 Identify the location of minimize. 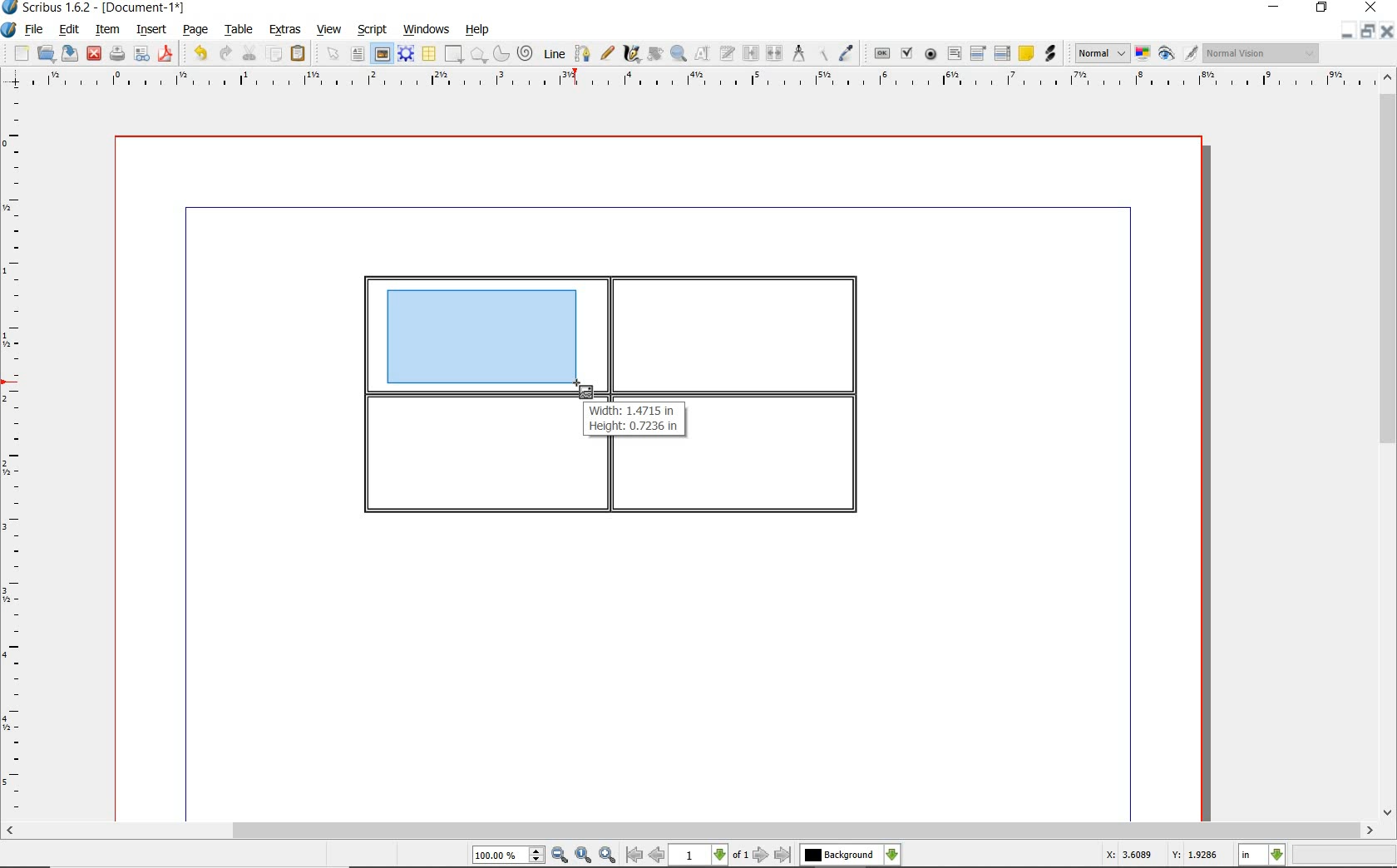
(1345, 32).